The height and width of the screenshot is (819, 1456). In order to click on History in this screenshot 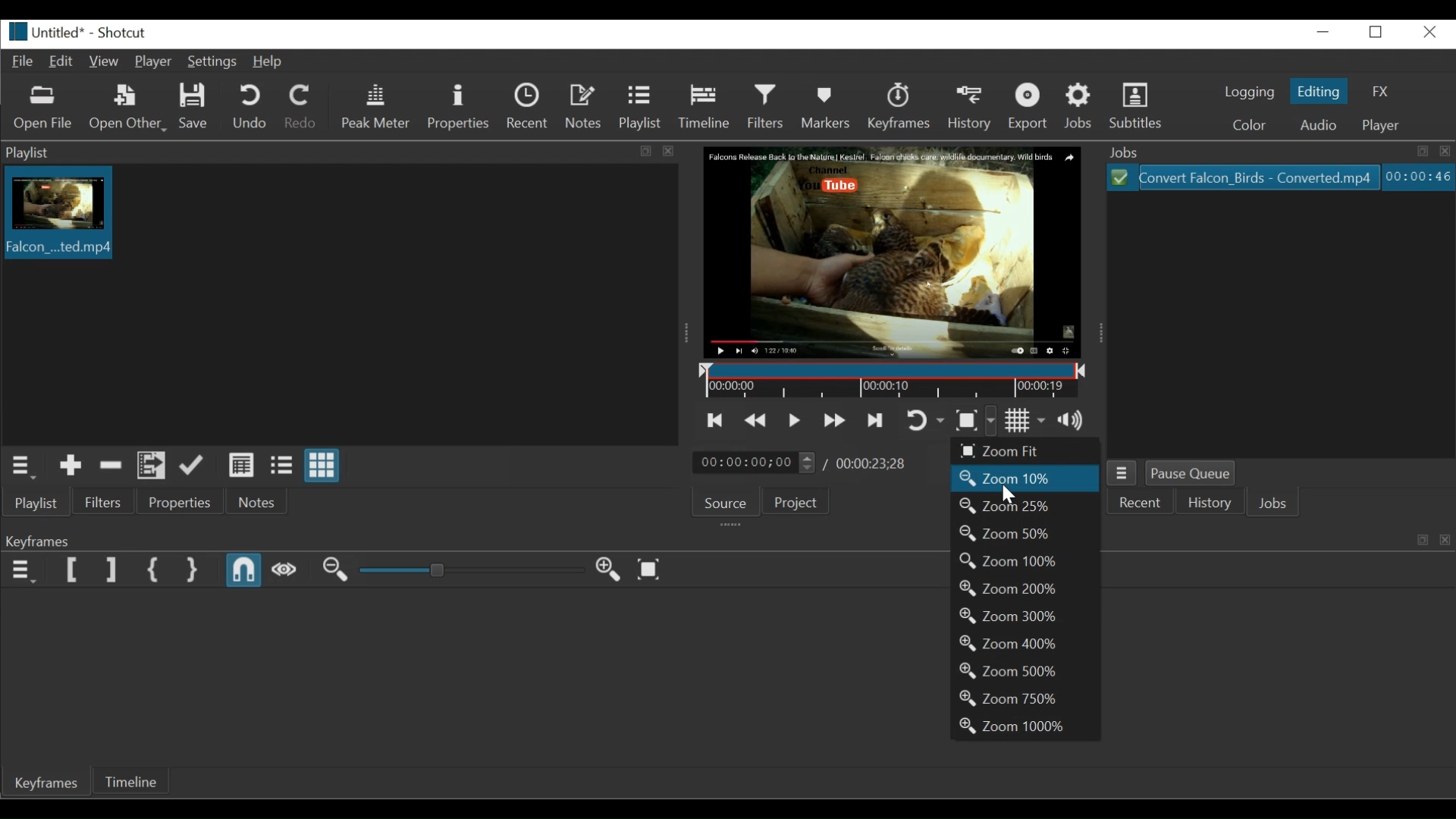, I will do `click(1207, 502)`.